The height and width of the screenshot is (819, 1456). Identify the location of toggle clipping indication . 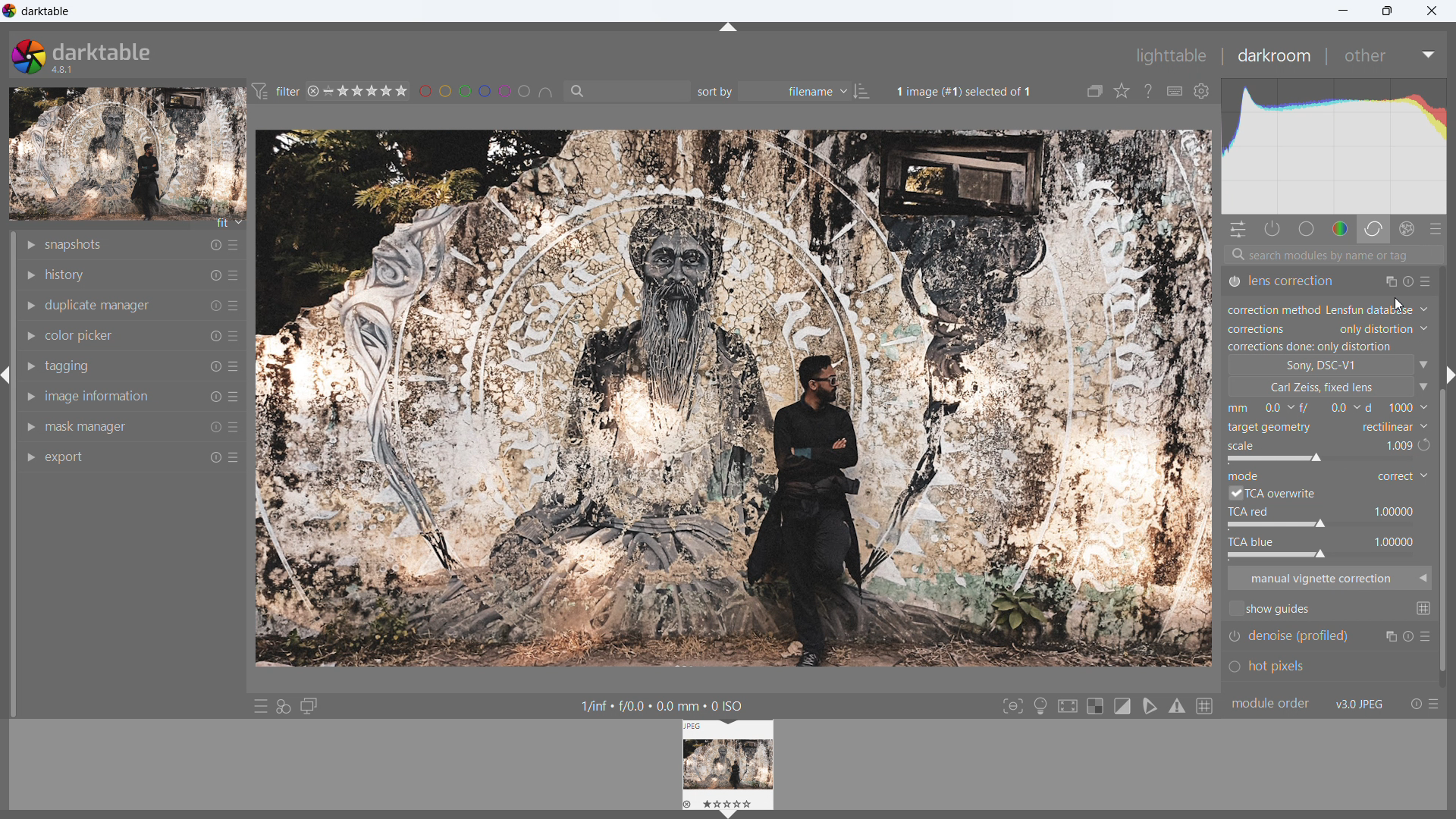
(1122, 706).